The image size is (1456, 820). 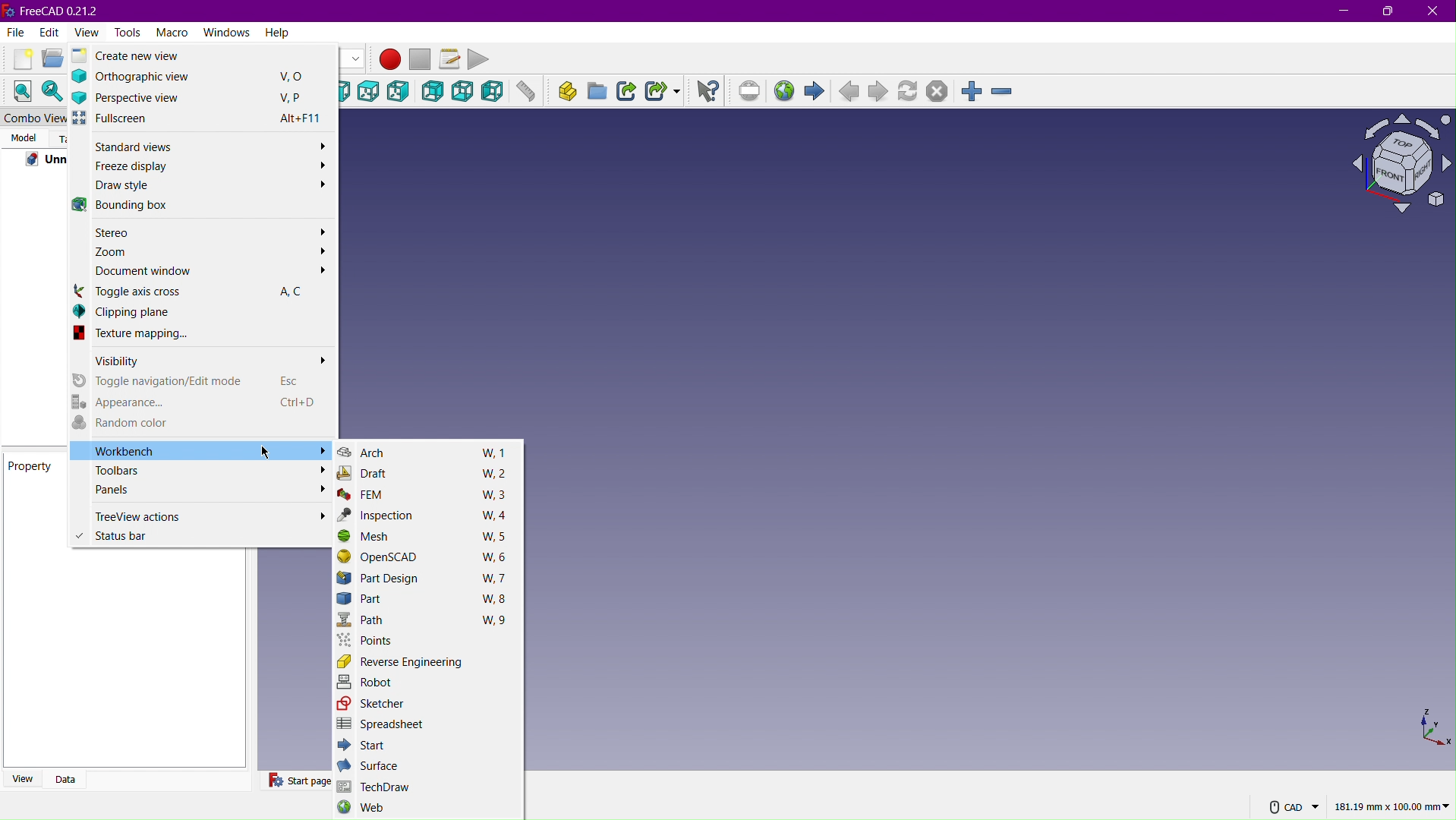 What do you see at coordinates (430, 451) in the screenshot?
I see `Arch W, 1` at bounding box center [430, 451].